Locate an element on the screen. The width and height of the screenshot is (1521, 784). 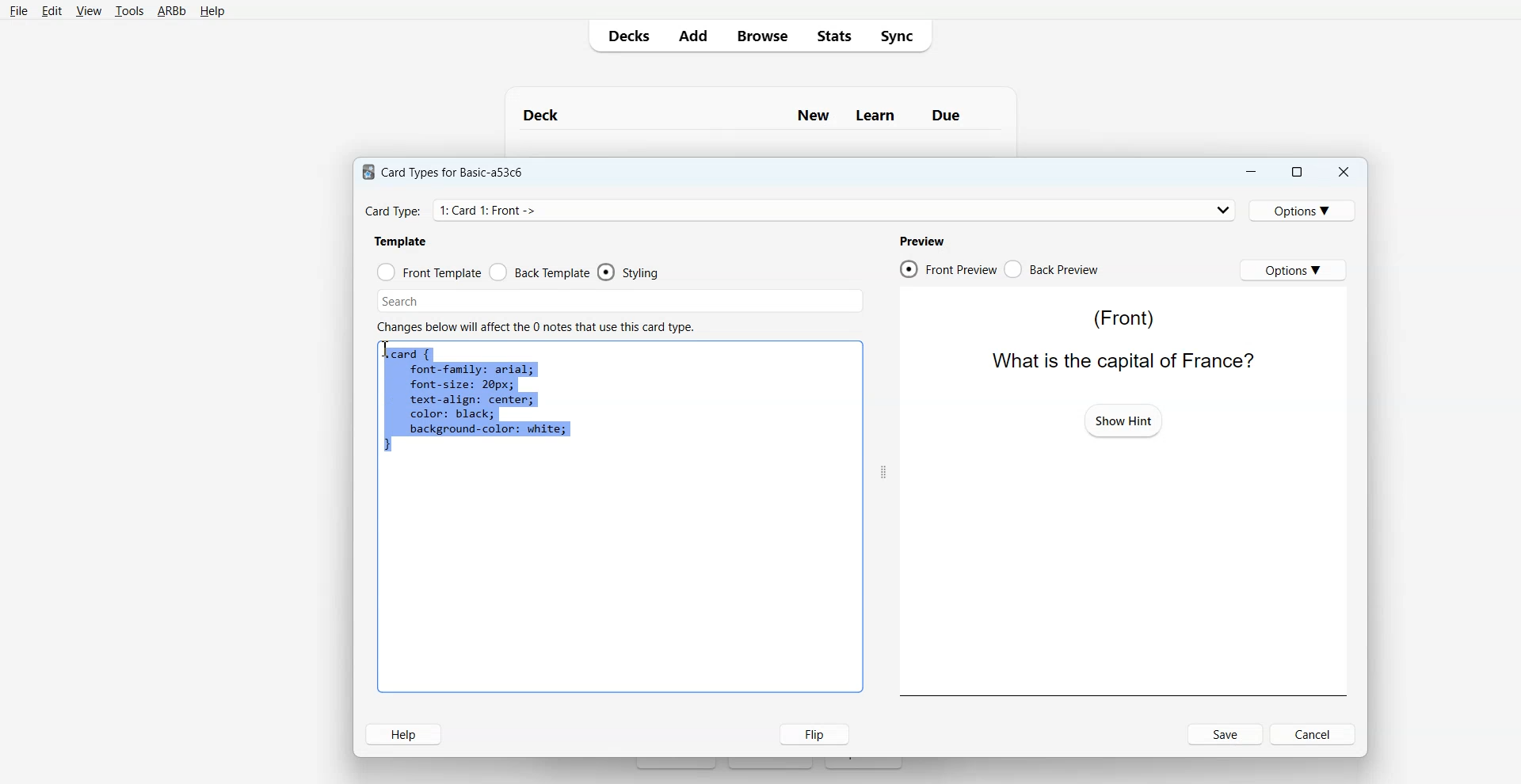
Card Types for Basic-a53c6 is located at coordinates (444, 171).